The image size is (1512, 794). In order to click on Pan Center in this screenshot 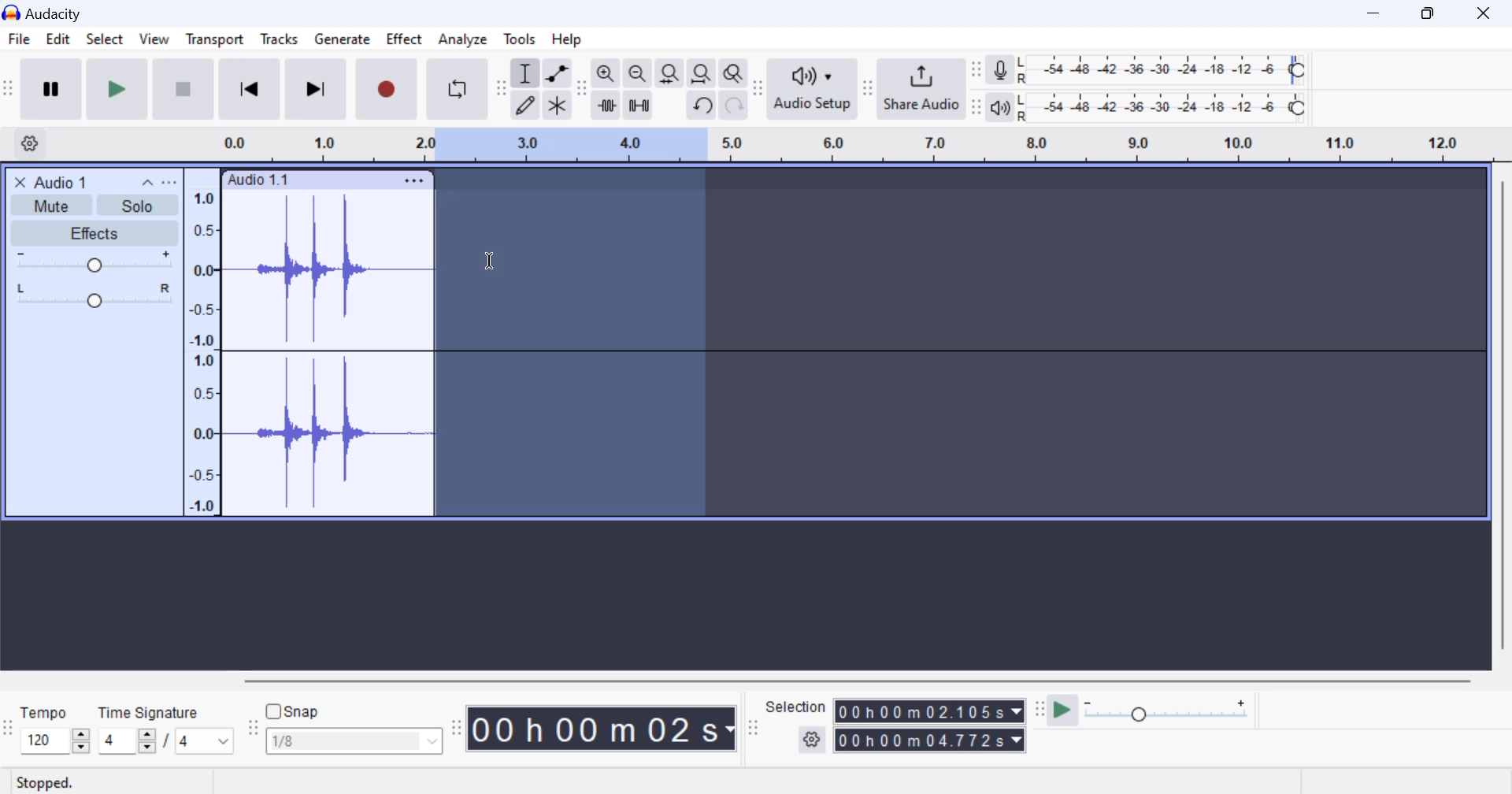, I will do `click(98, 295)`.